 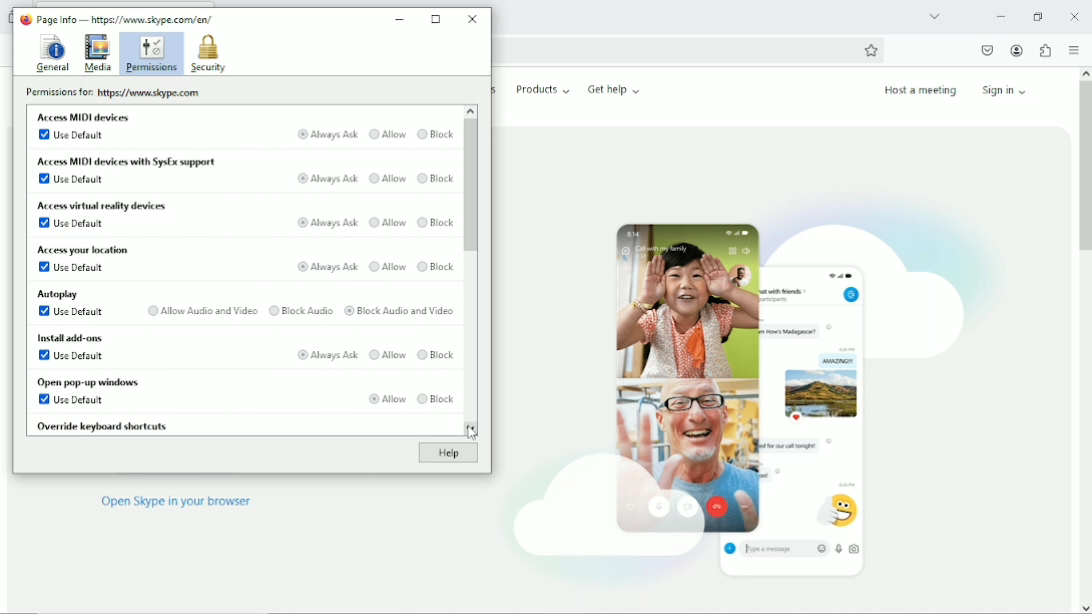 What do you see at coordinates (1083, 72) in the screenshot?
I see `scroll up` at bounding box center [1083, 72].